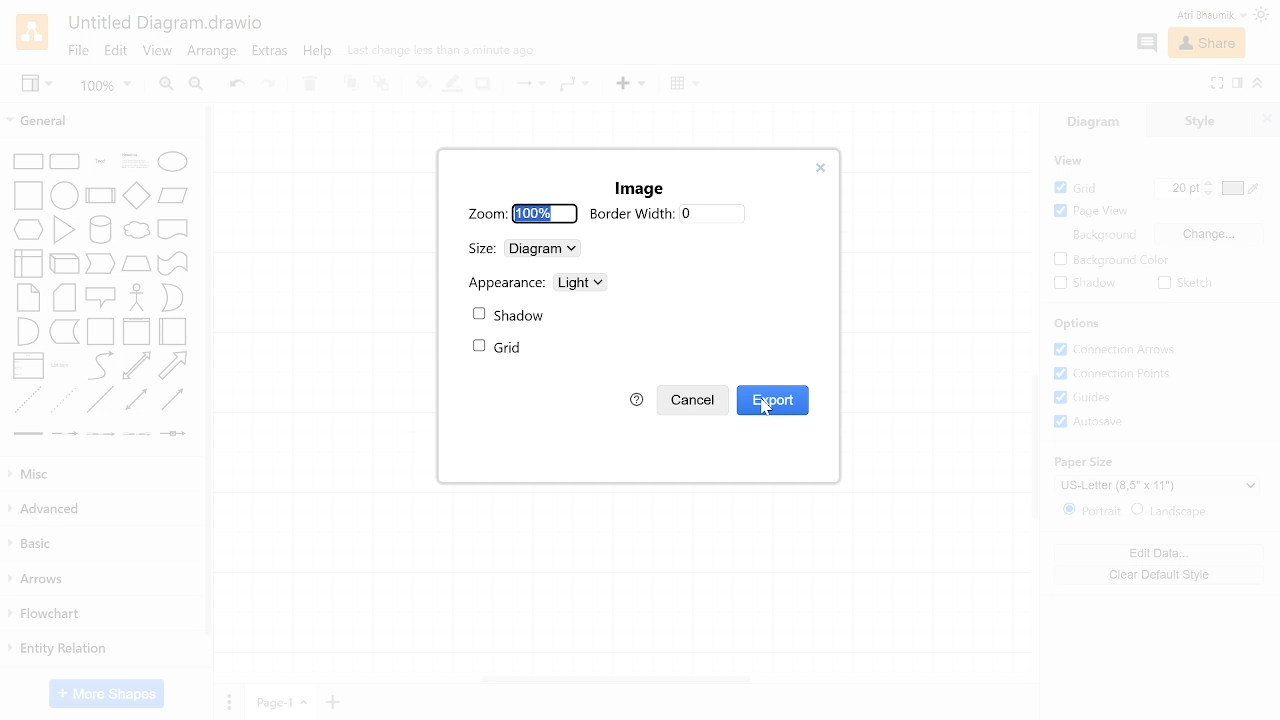  I want to click on Basic, so click(29, 542).